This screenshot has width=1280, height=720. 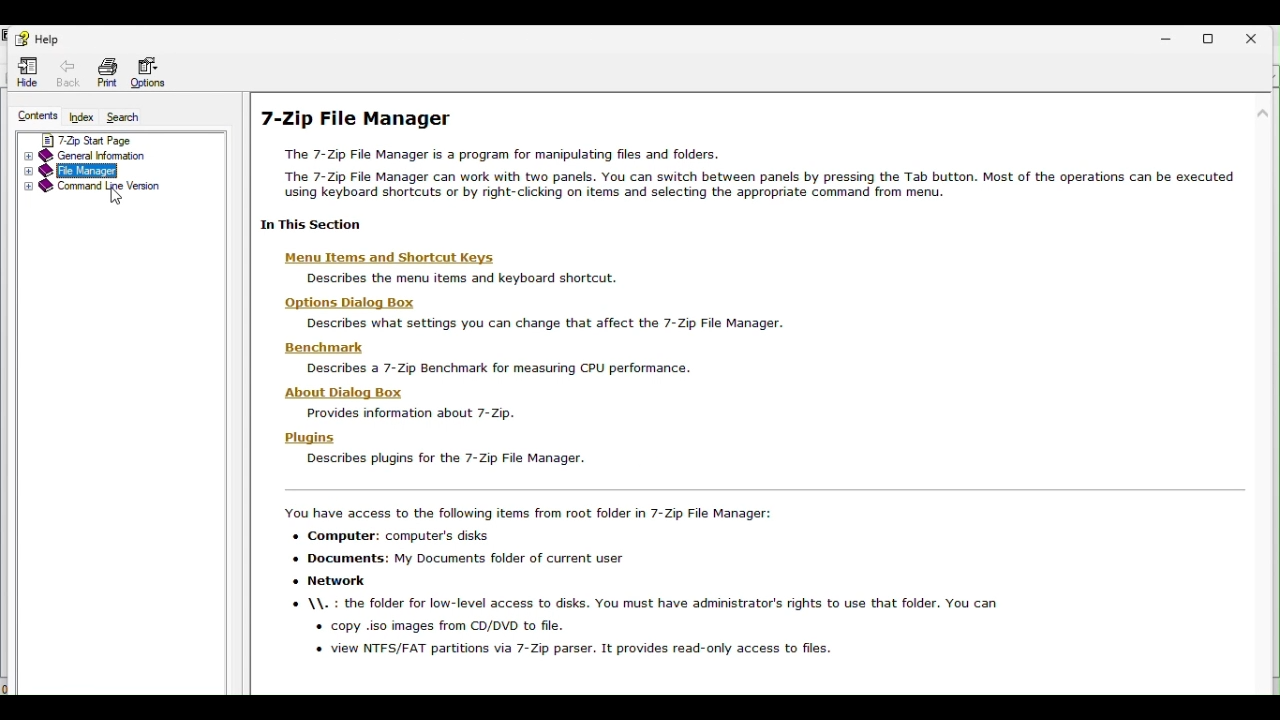 I want to click on Index, so click(x=83, y=117).